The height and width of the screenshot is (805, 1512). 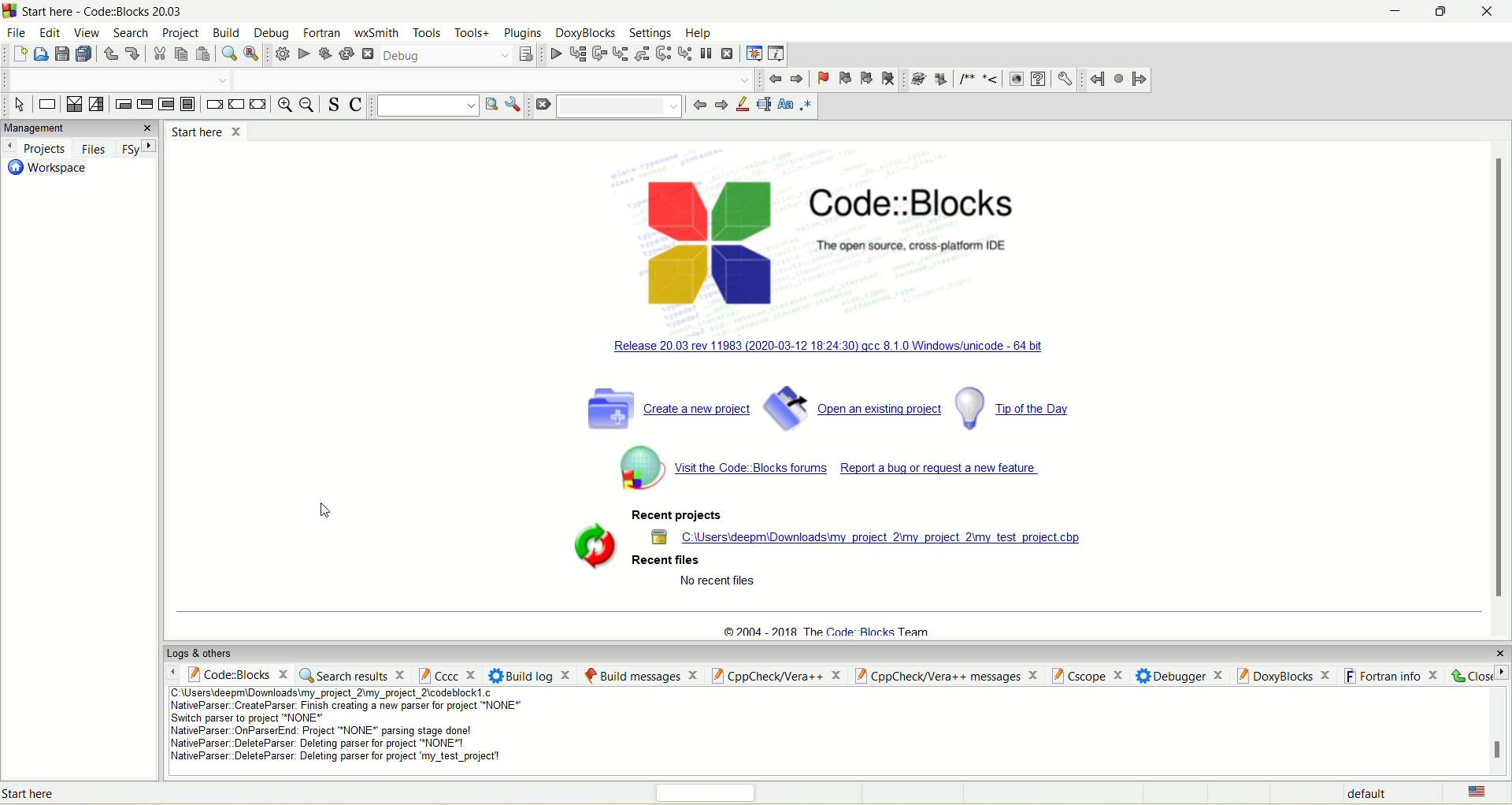 What do you see at coordinates (844, 79) in the screenshot?
I see `previous bookmark` at bounding box center [844, 79].